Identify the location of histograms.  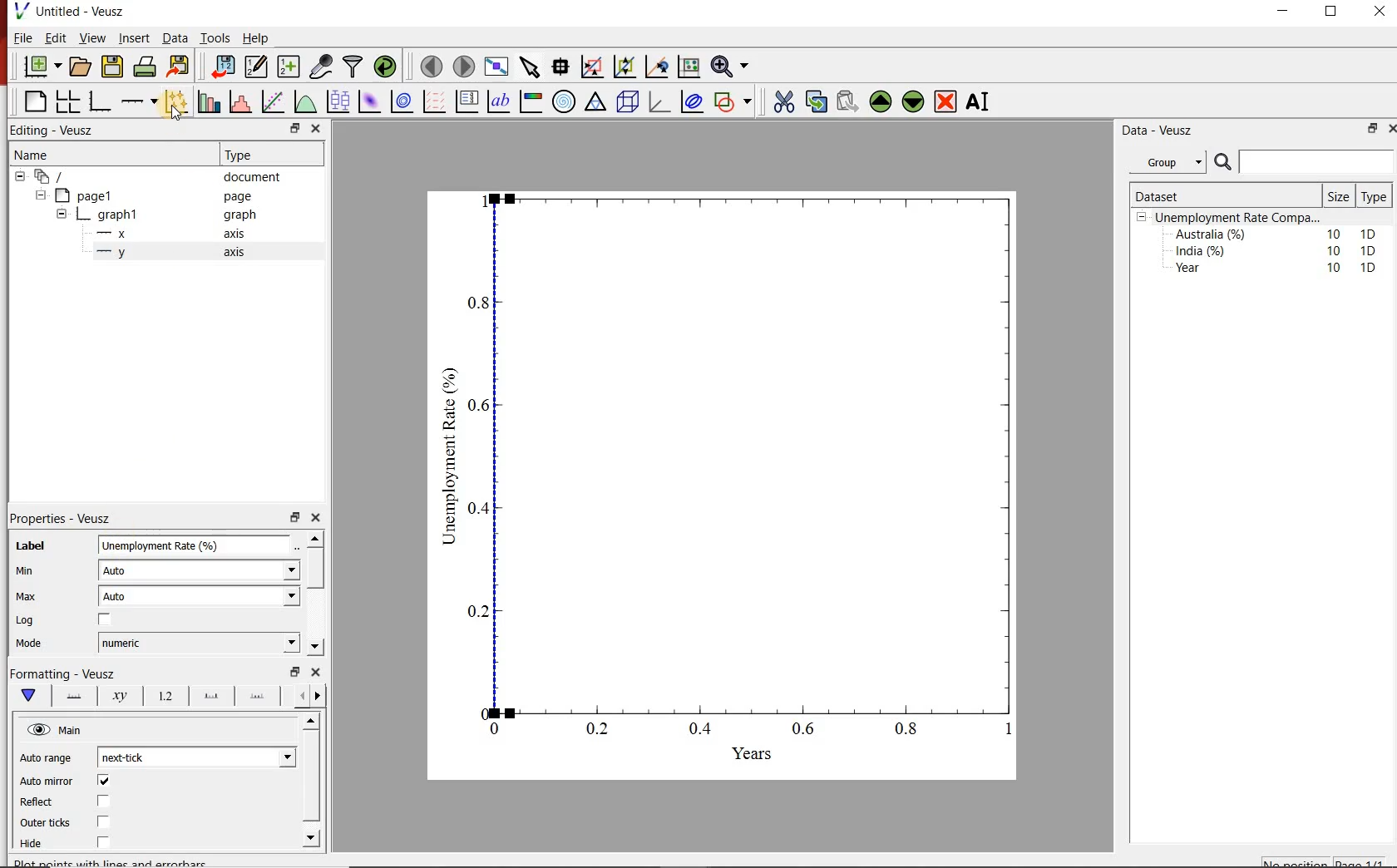
(239, 101).